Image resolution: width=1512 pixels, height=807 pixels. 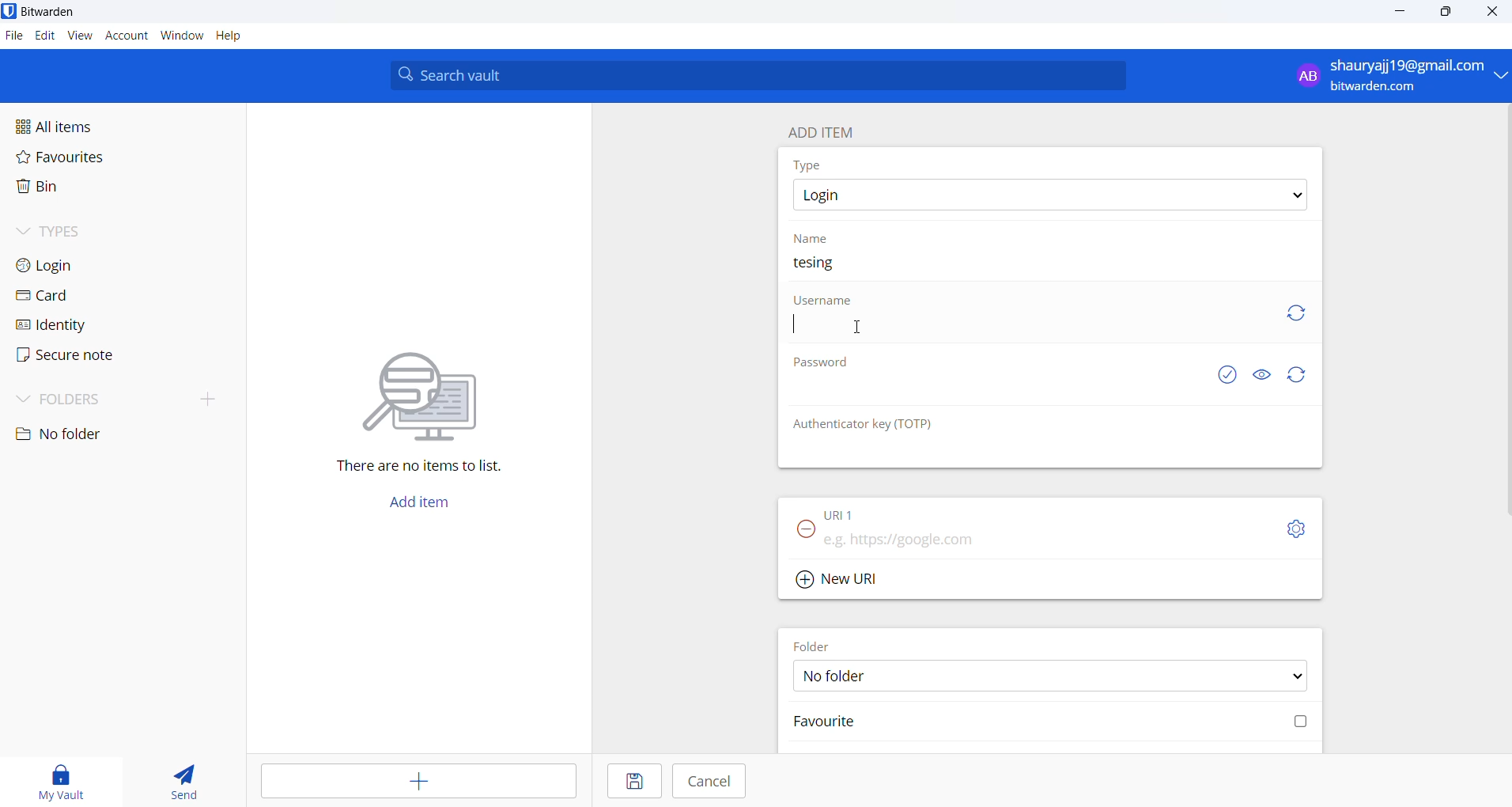 What do you see at coordinates (94, 434) in the screenshot?
I see `no folder` at bounding box center [94, 434].